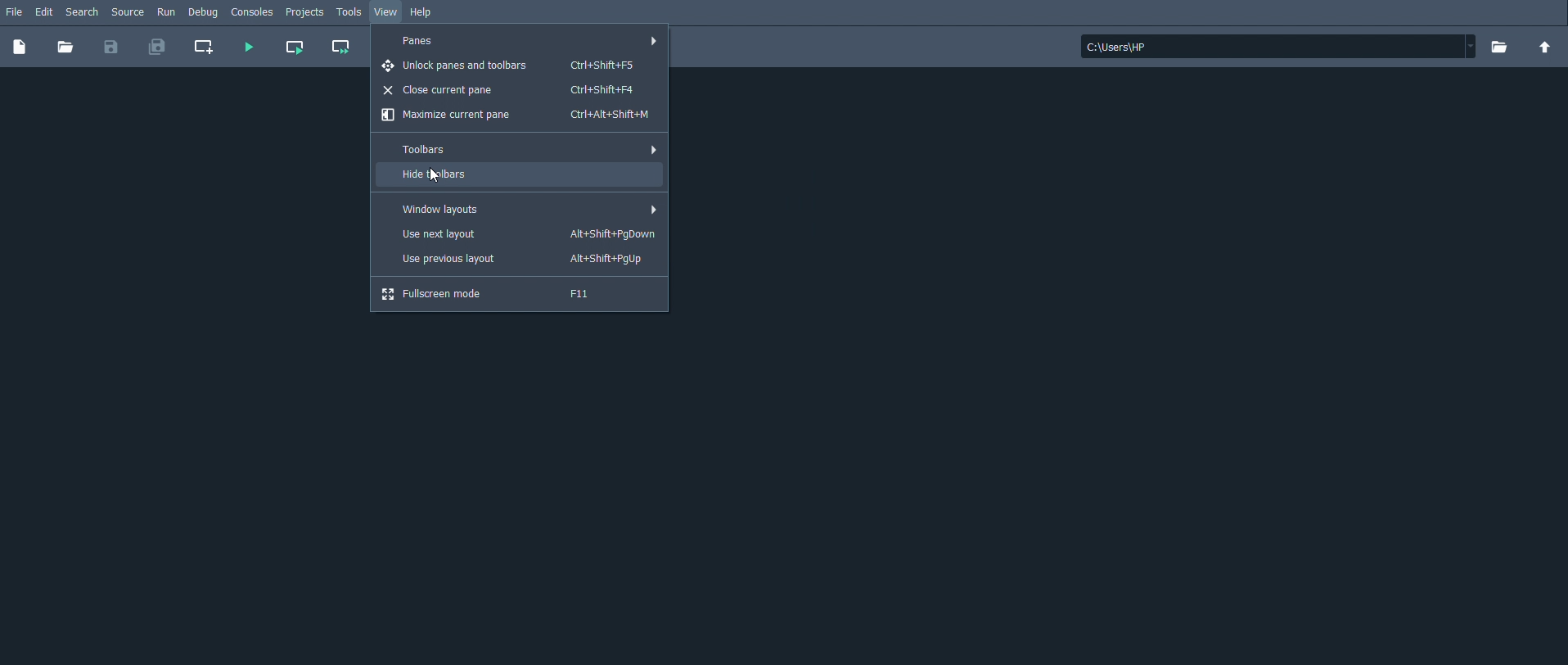  Describe the element at coordinates (166, 13) in the screenshot. I see `Run` at that location.